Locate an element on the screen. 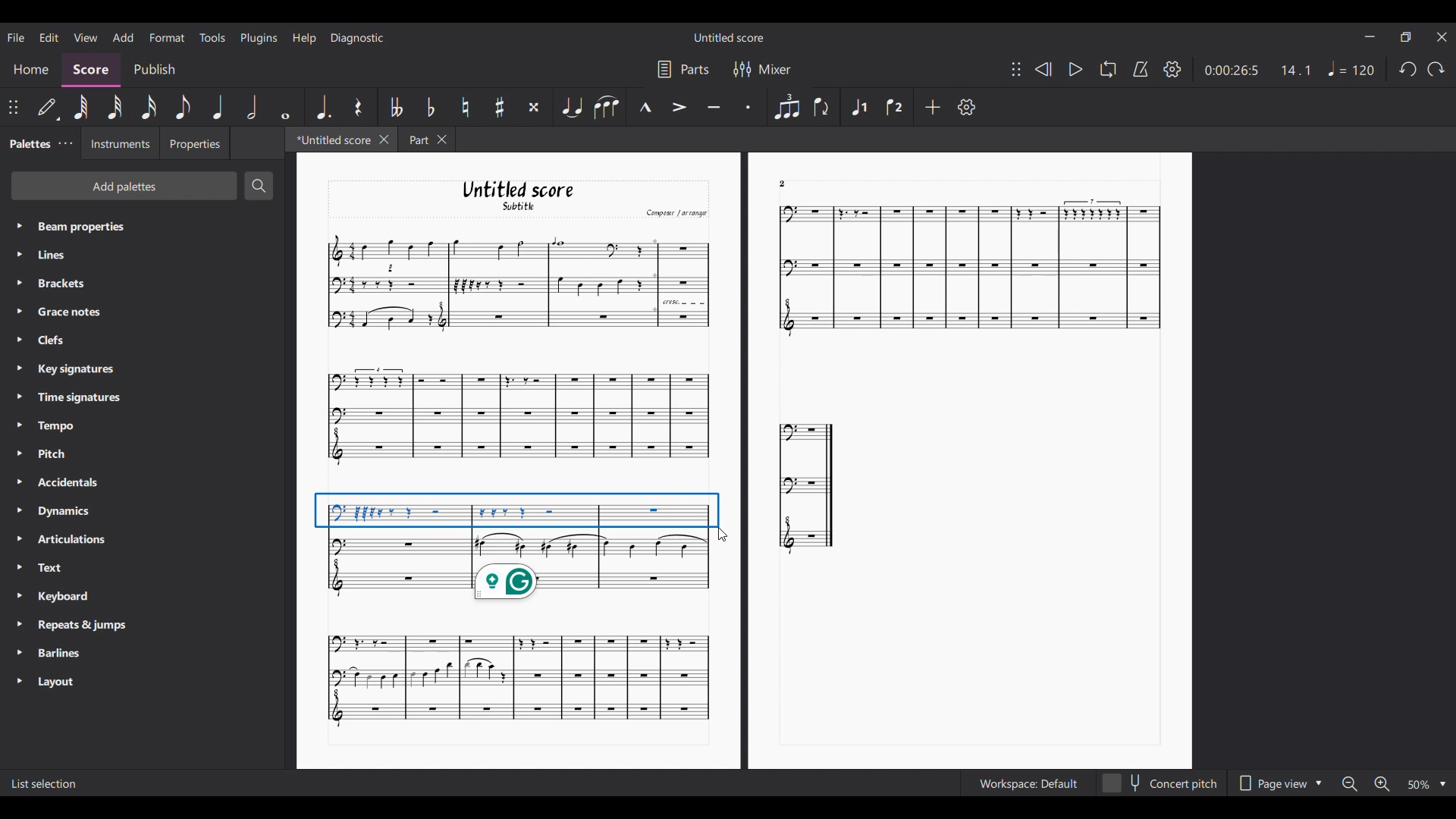  View menu is located at coordinates (86, 36).